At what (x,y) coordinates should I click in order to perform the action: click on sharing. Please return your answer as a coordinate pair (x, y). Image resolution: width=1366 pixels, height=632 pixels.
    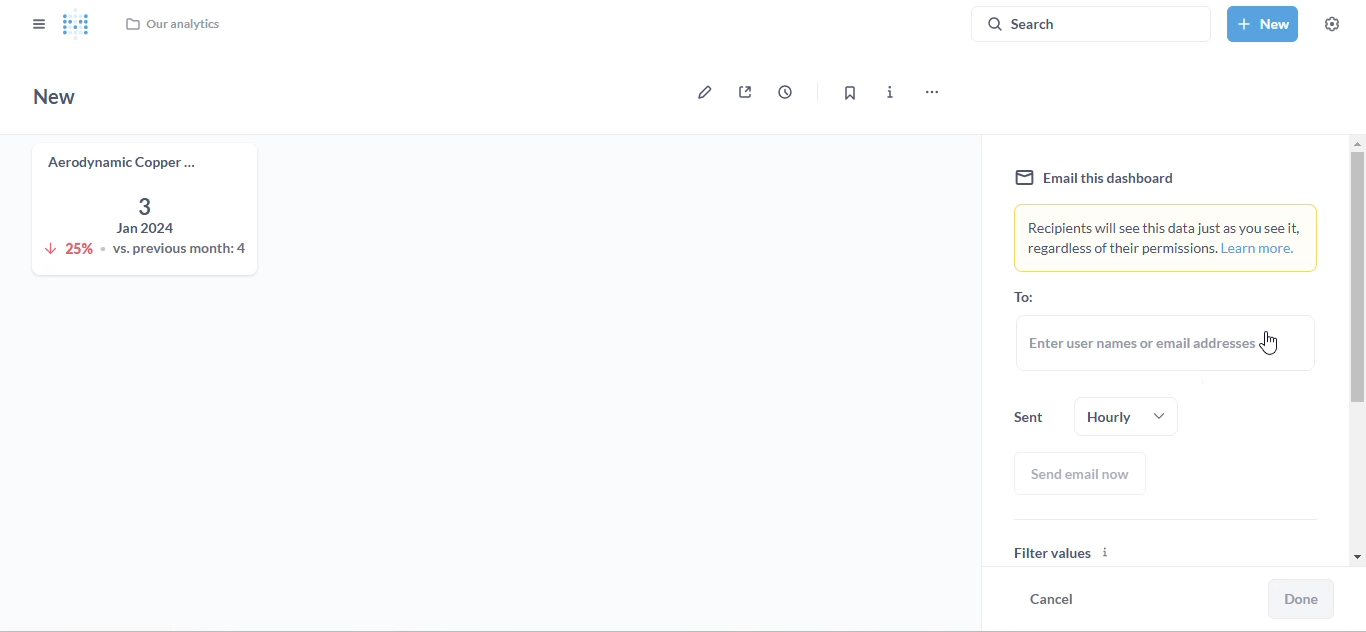
    Looking at the image, I should click on (745, 92).